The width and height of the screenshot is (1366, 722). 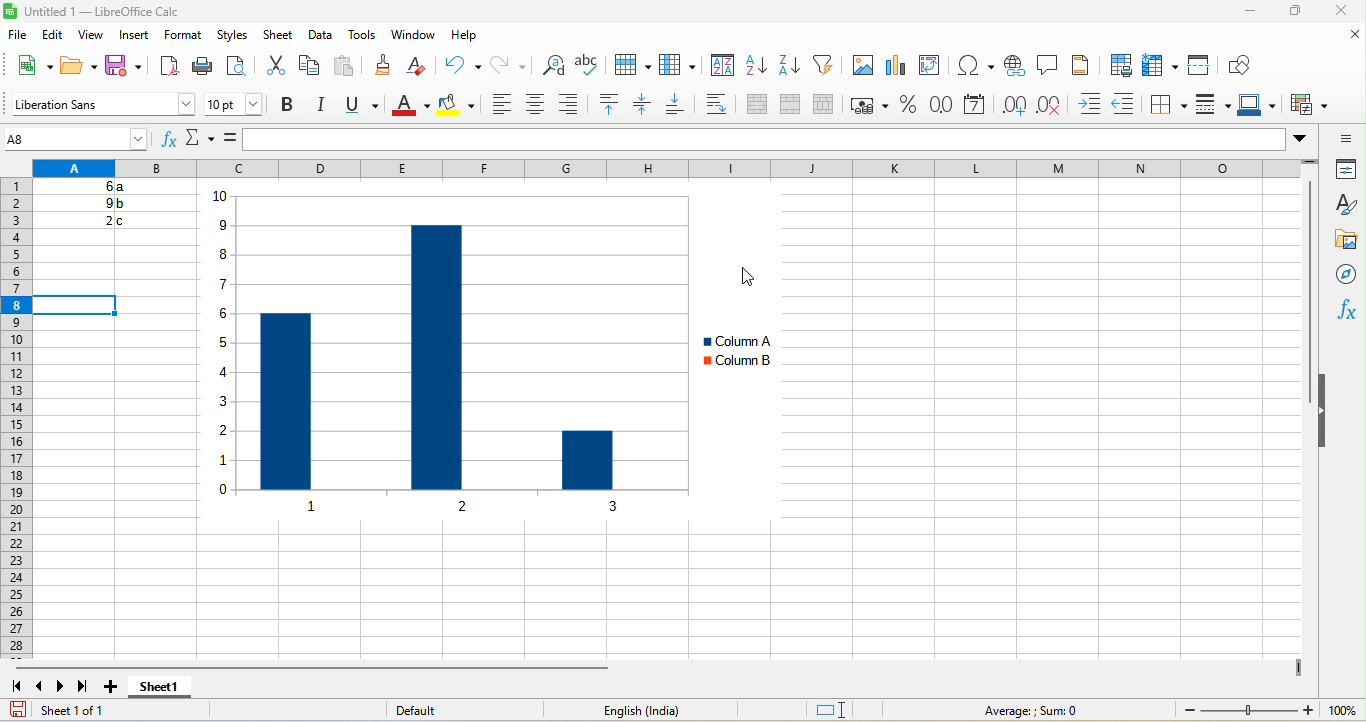 What do you see at coordinates (430, 709) in the screenshot?
I see `default` at bounding box center [430, 709].